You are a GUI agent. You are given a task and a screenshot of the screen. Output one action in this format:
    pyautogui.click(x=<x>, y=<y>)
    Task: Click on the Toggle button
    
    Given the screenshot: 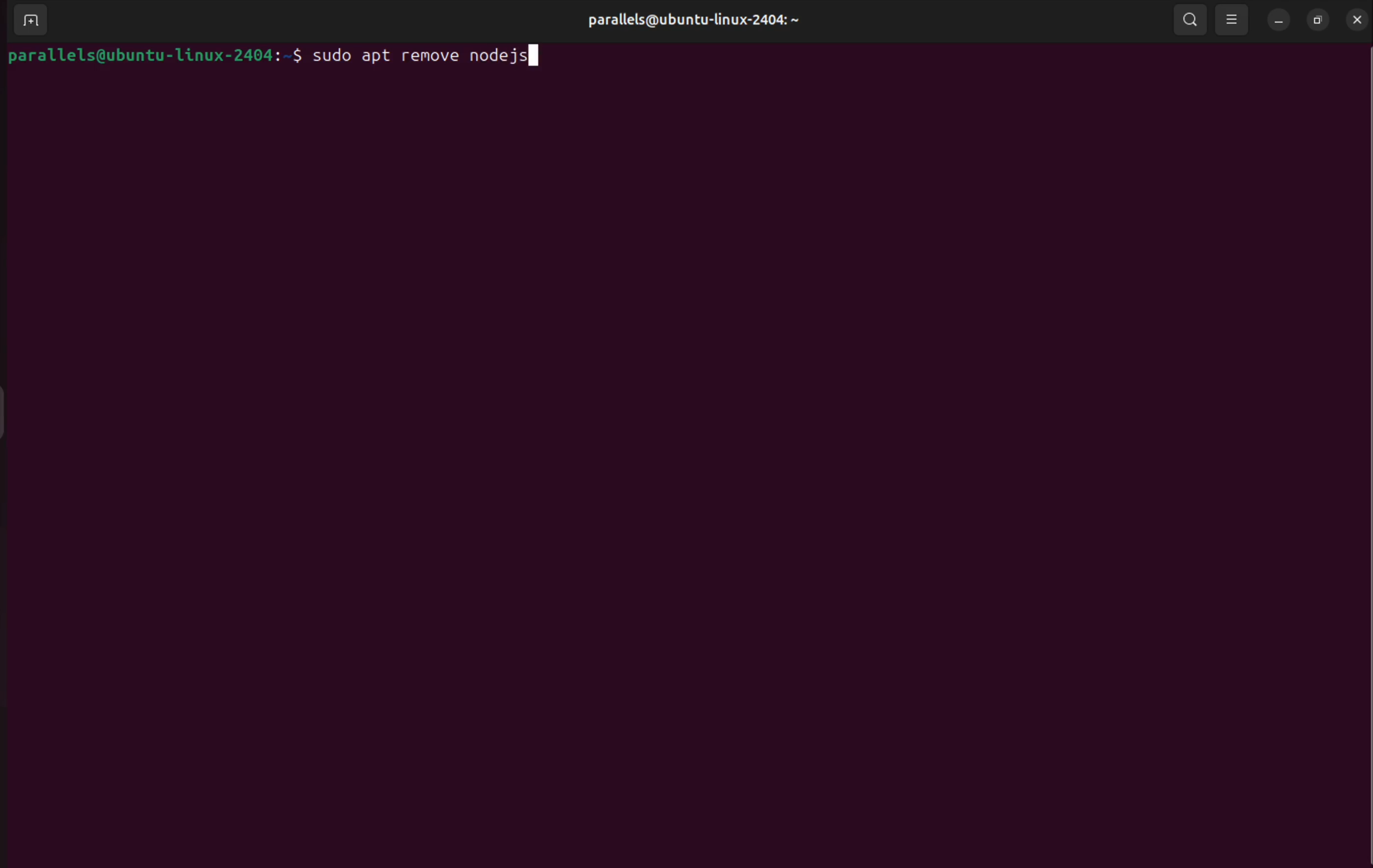 What is the action you would take?
    pyautogui.click(x=14, y=411)
    